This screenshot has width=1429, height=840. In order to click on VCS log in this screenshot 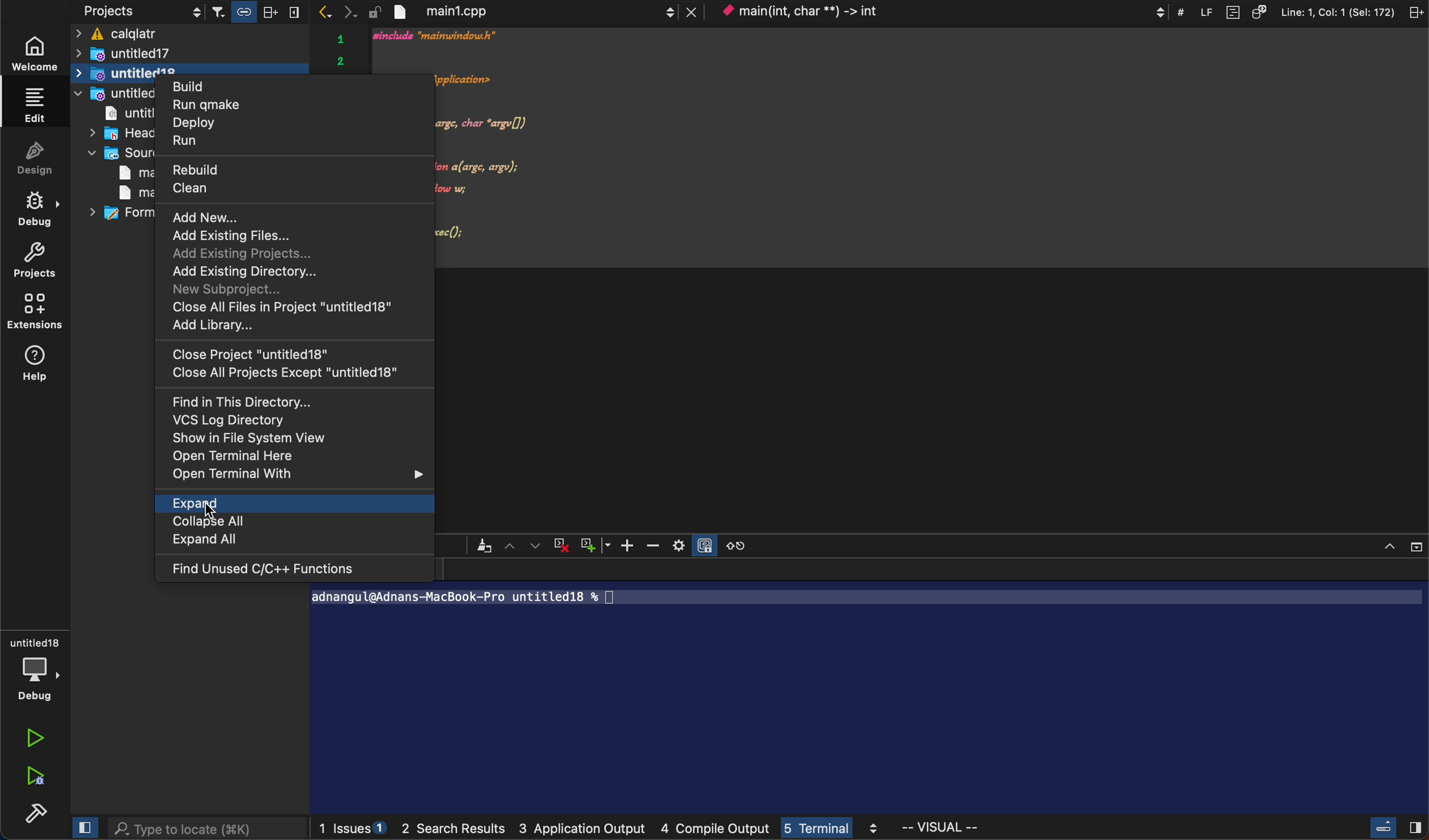, I will do `click(248, 421)`.